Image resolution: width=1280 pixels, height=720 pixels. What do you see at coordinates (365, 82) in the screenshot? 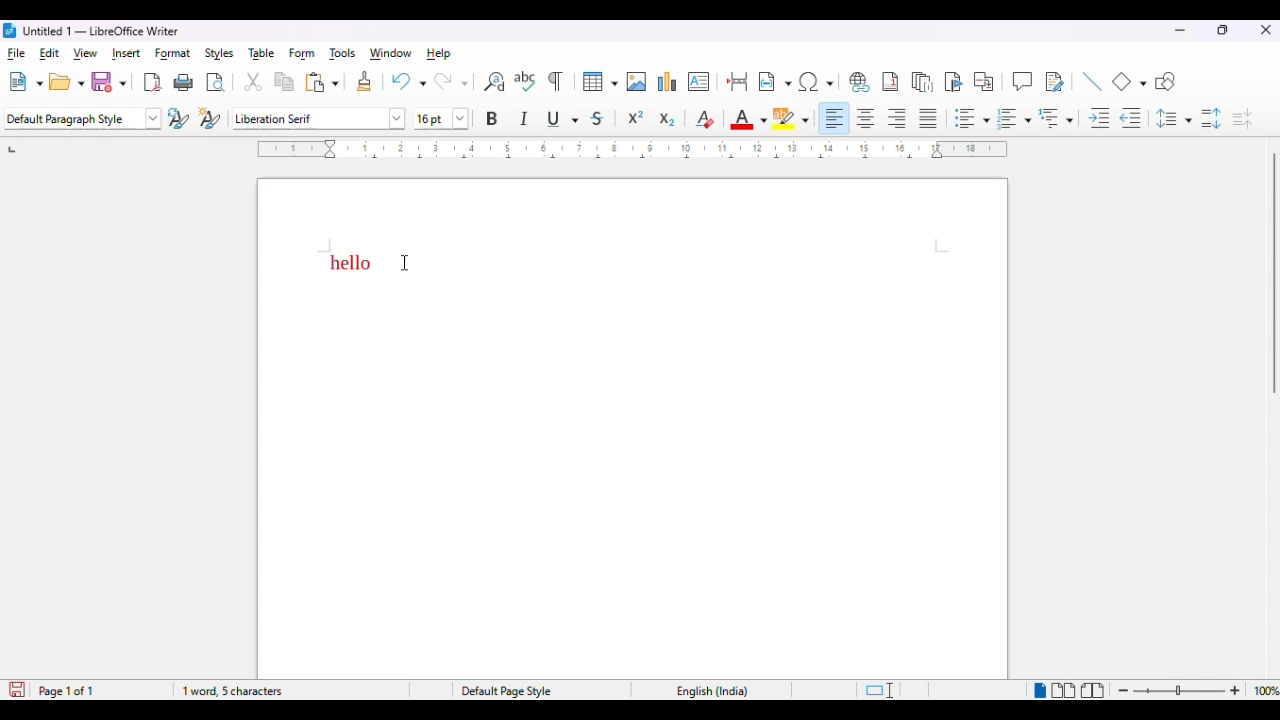
I see `clone formatting` at bounding box center [365, 82].